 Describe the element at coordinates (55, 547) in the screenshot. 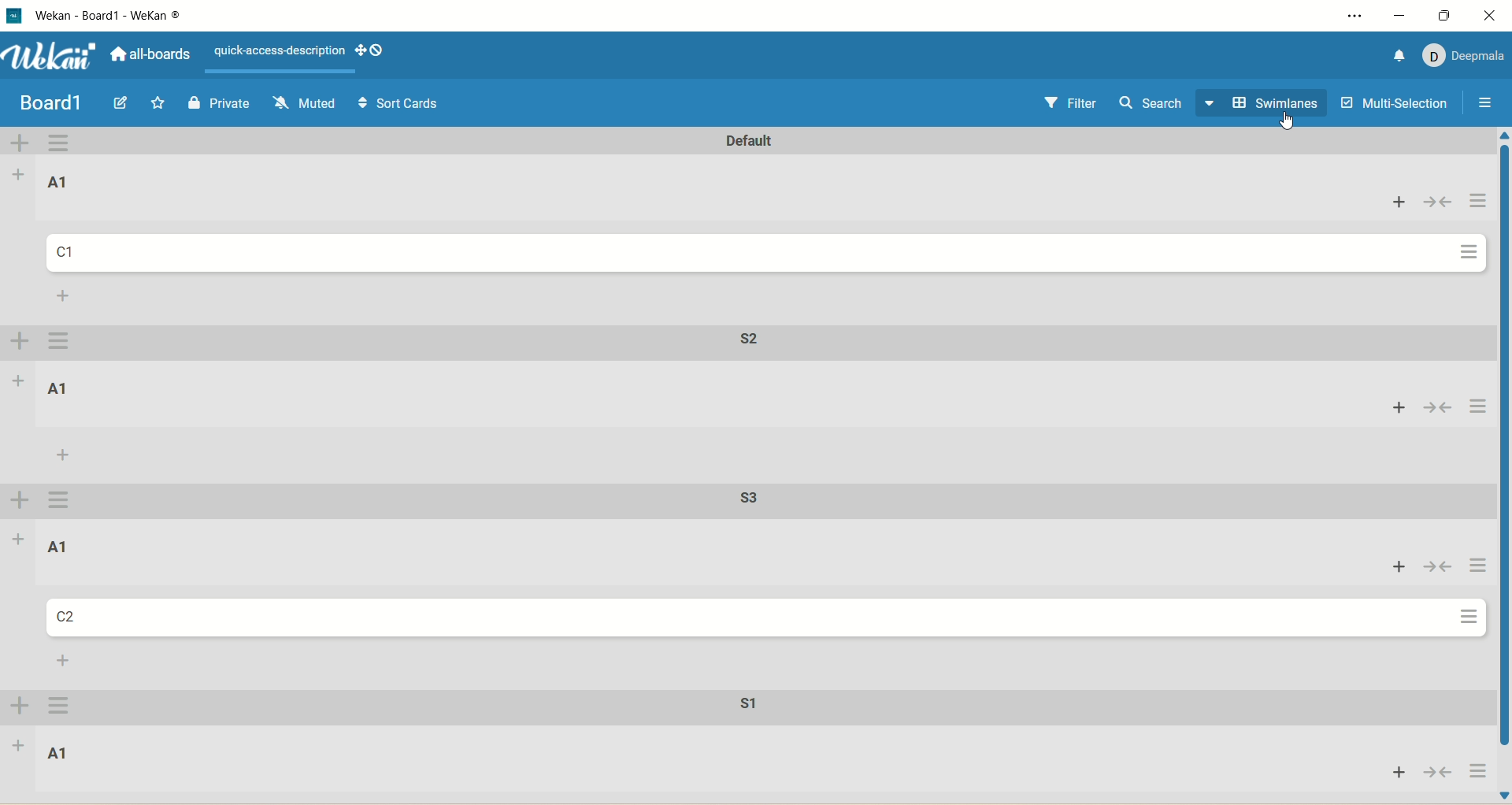

I see `list title` at that location.